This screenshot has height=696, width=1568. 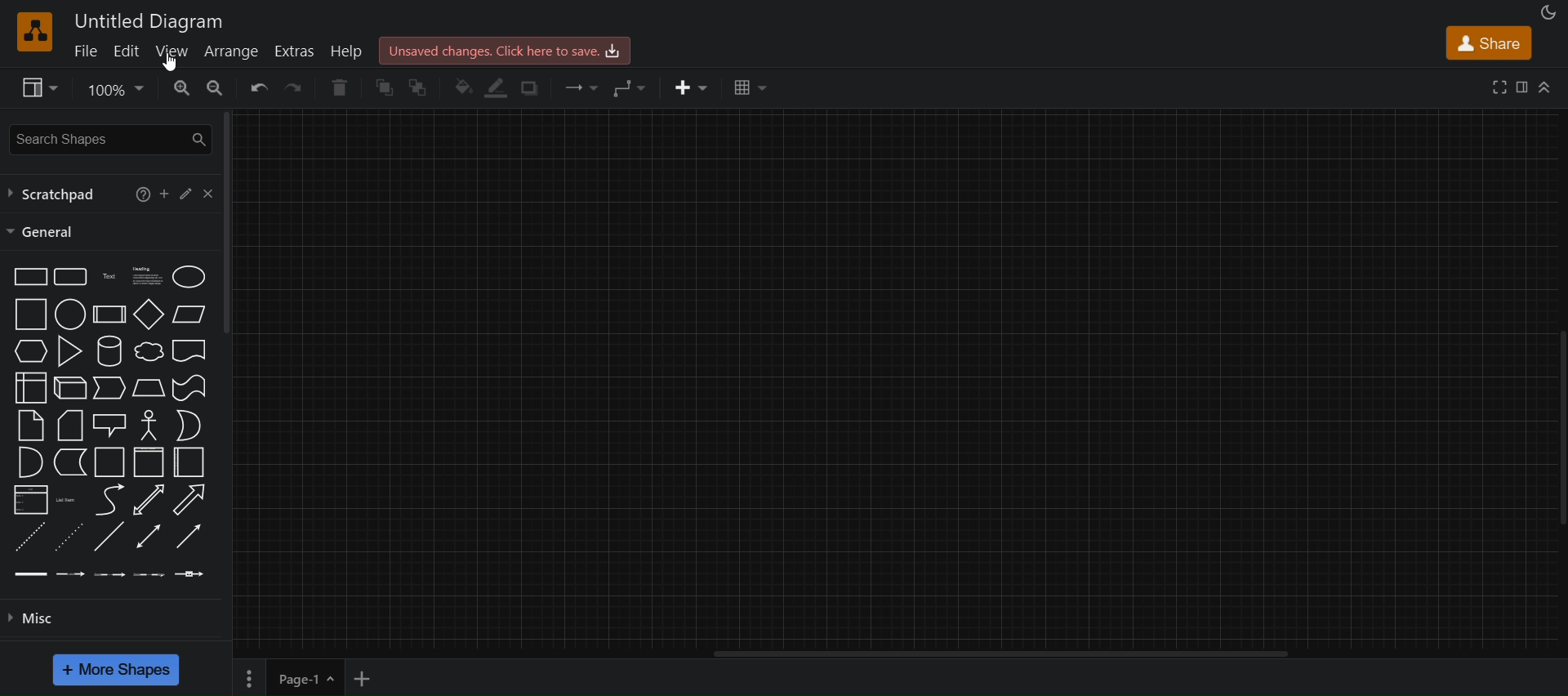 What do you see at coordinates (234, 51) in the screenshot?
I see `arrange` at bounding box center [234, 51].